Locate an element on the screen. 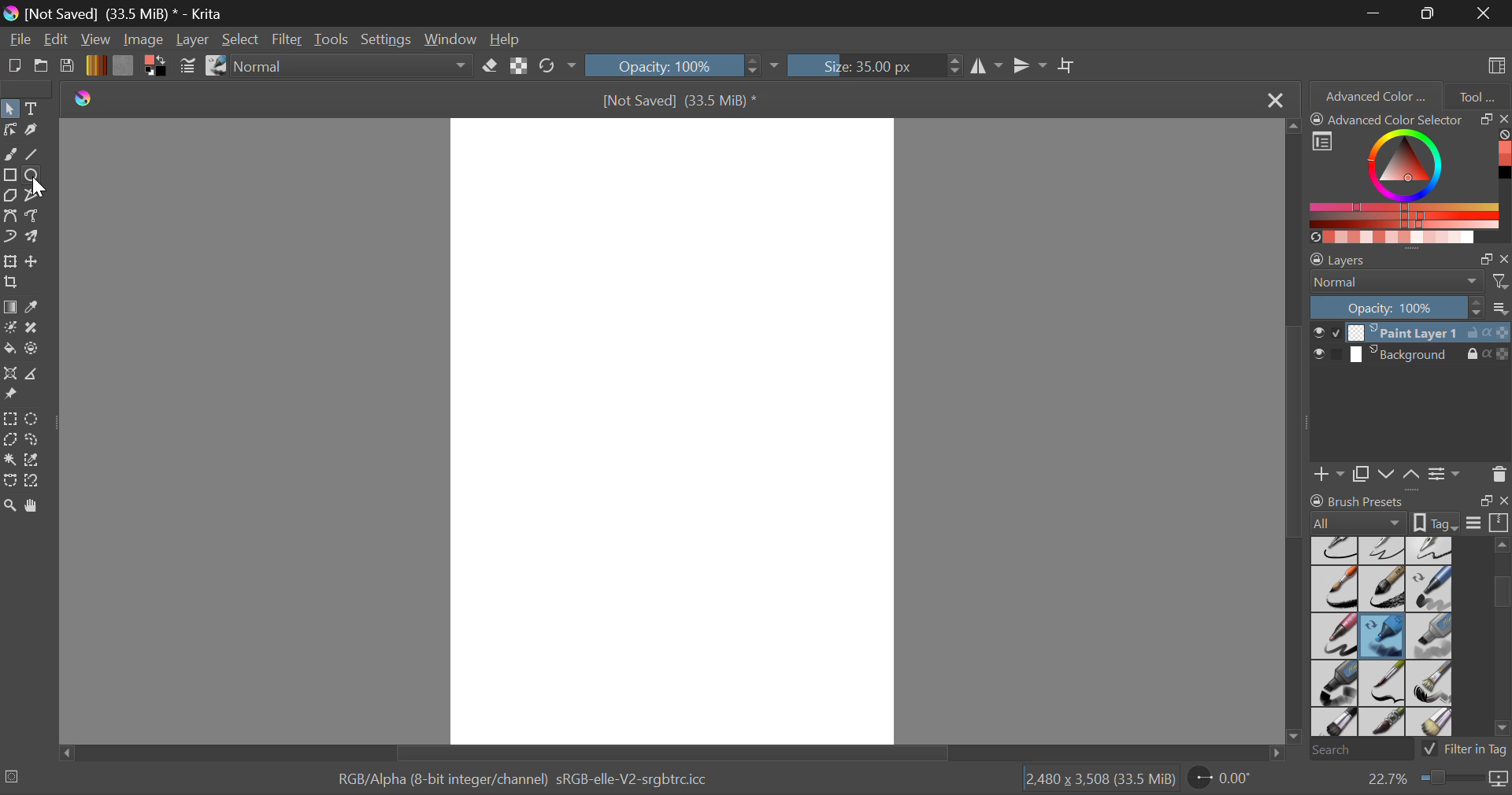 The width and height of the screenshot is (1512, 795). Multibrush Tool is located at coordinates (37, 238).